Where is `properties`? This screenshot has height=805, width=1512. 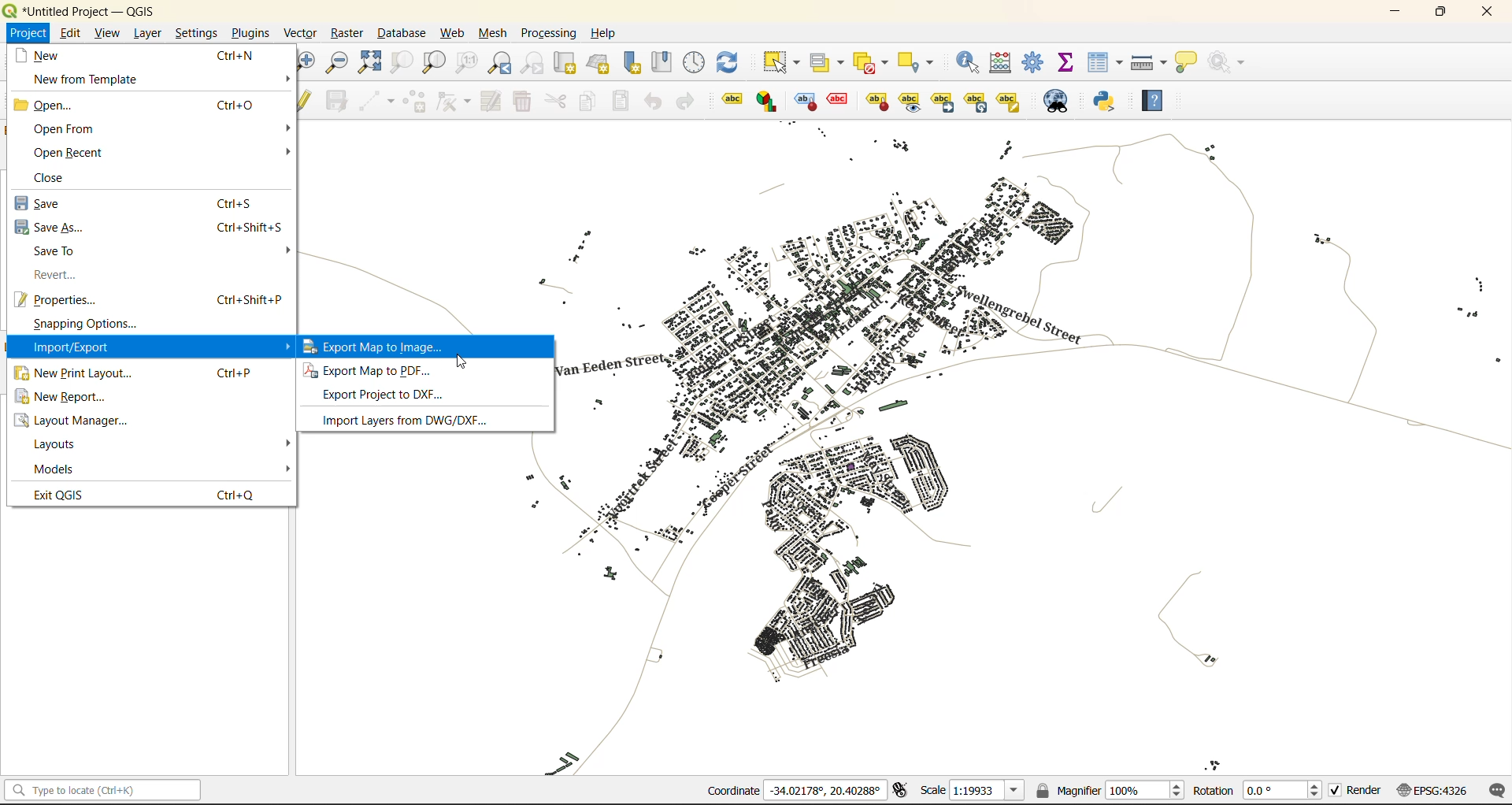
properties is located at coordinates (63, 299).